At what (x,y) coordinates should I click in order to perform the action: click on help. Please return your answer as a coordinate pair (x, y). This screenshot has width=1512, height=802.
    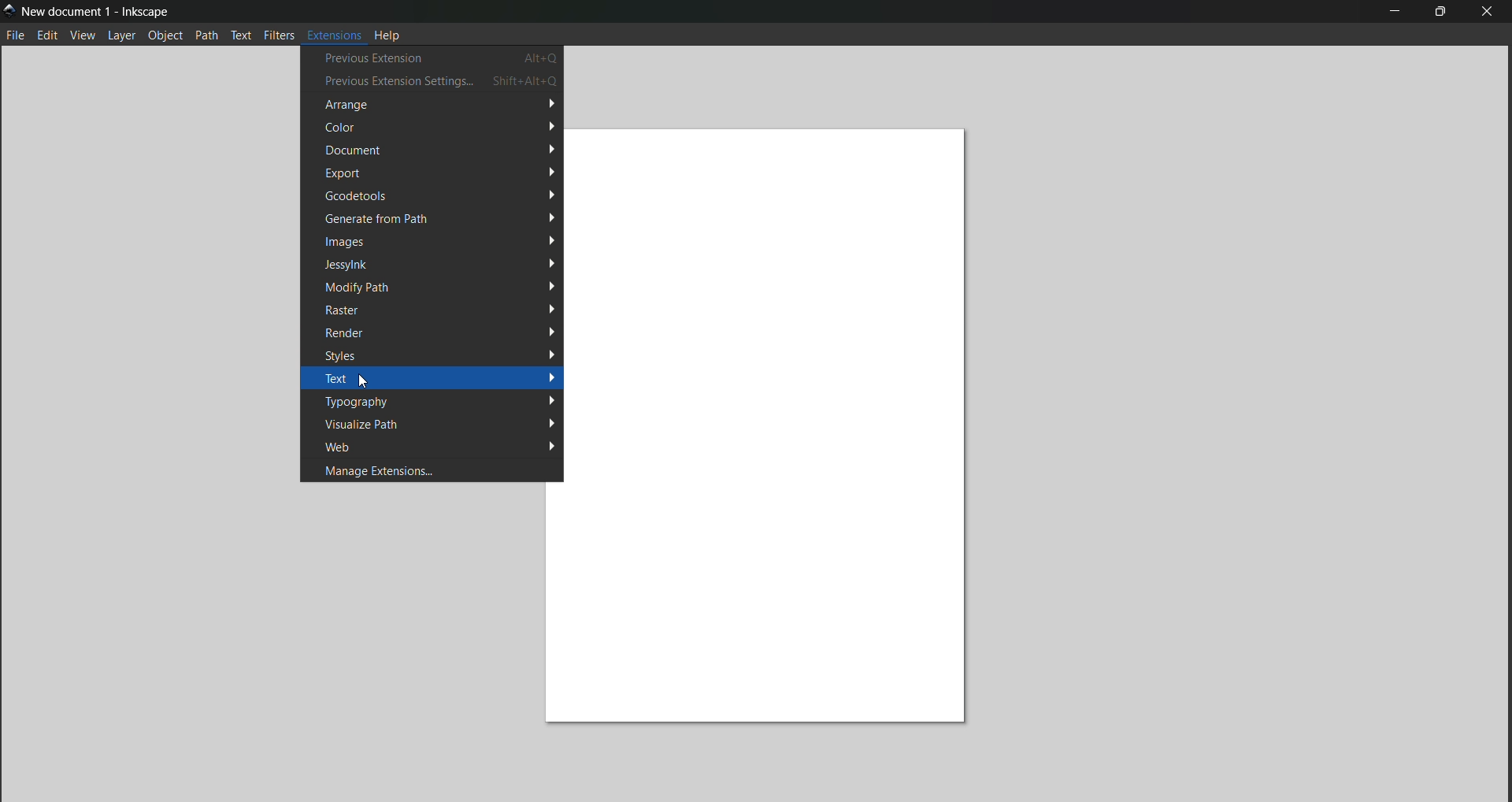
    Looking at the image, I should click on (389, 34).